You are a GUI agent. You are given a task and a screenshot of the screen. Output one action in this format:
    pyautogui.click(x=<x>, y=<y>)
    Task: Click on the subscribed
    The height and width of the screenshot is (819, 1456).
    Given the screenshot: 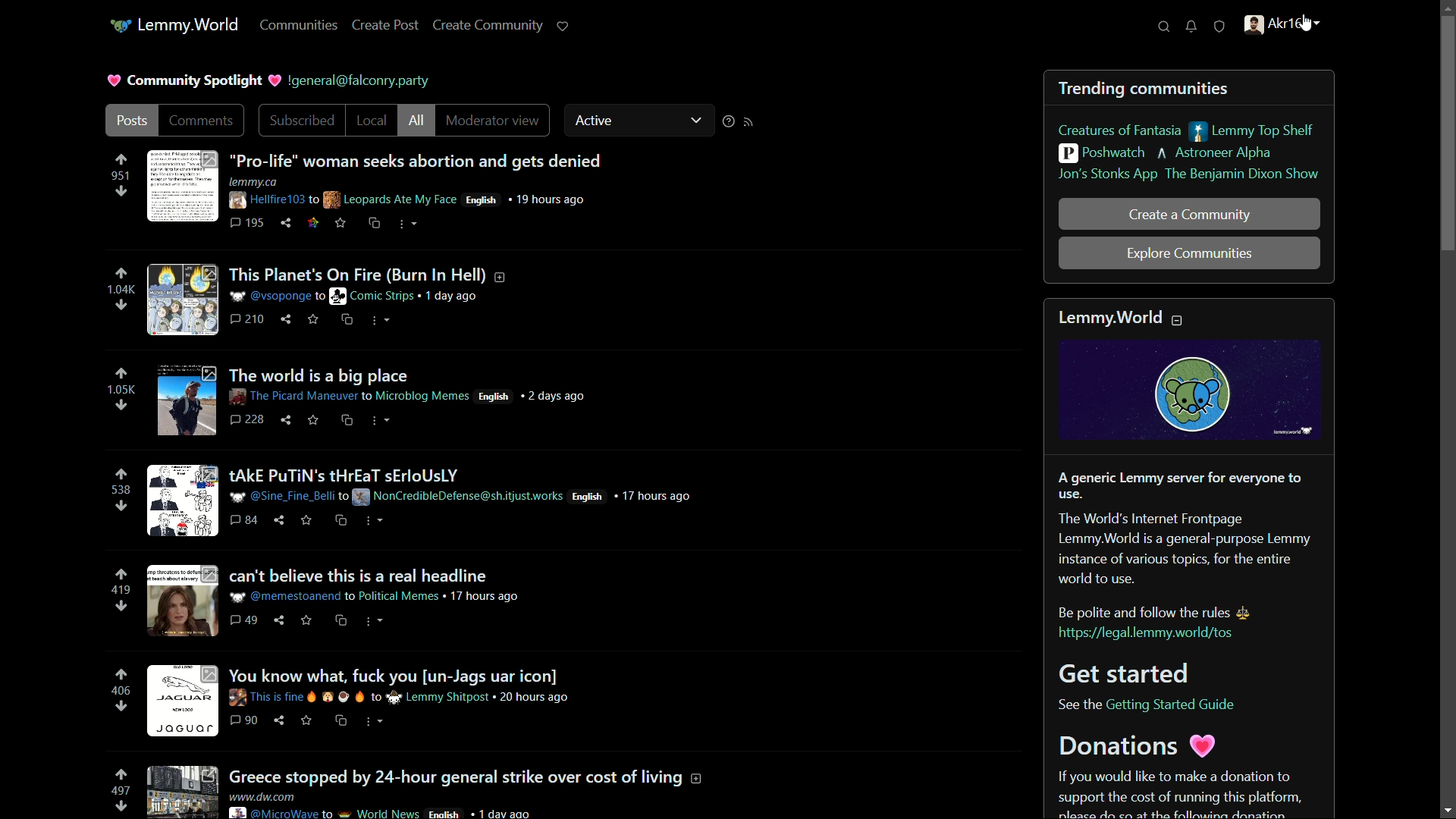 What is the action you would take?
    pyautogui.click(x=302, y=119)
    